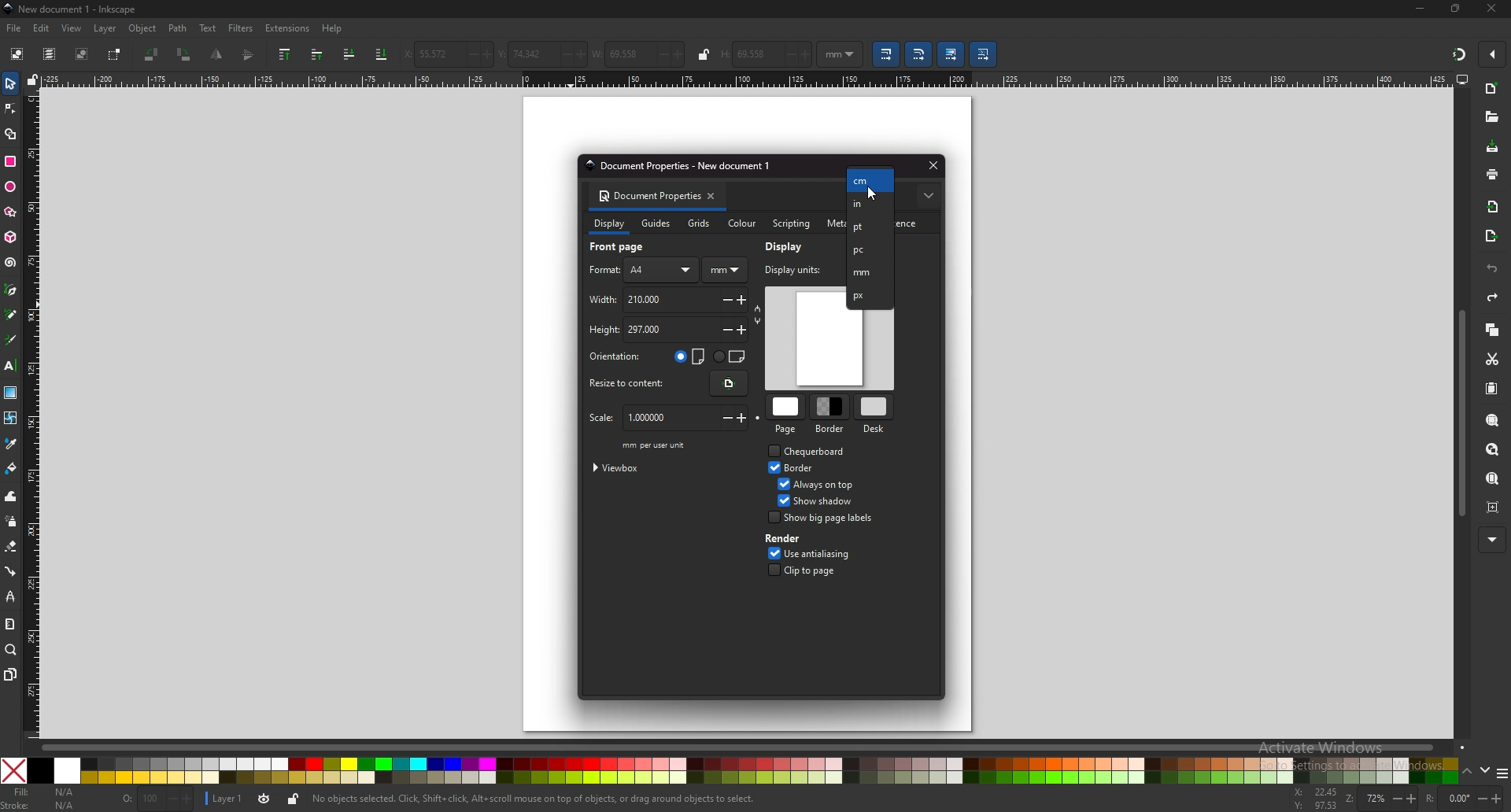  Describe the element at coordinates (745, 301) in the screenshot. I see `+` at that location.